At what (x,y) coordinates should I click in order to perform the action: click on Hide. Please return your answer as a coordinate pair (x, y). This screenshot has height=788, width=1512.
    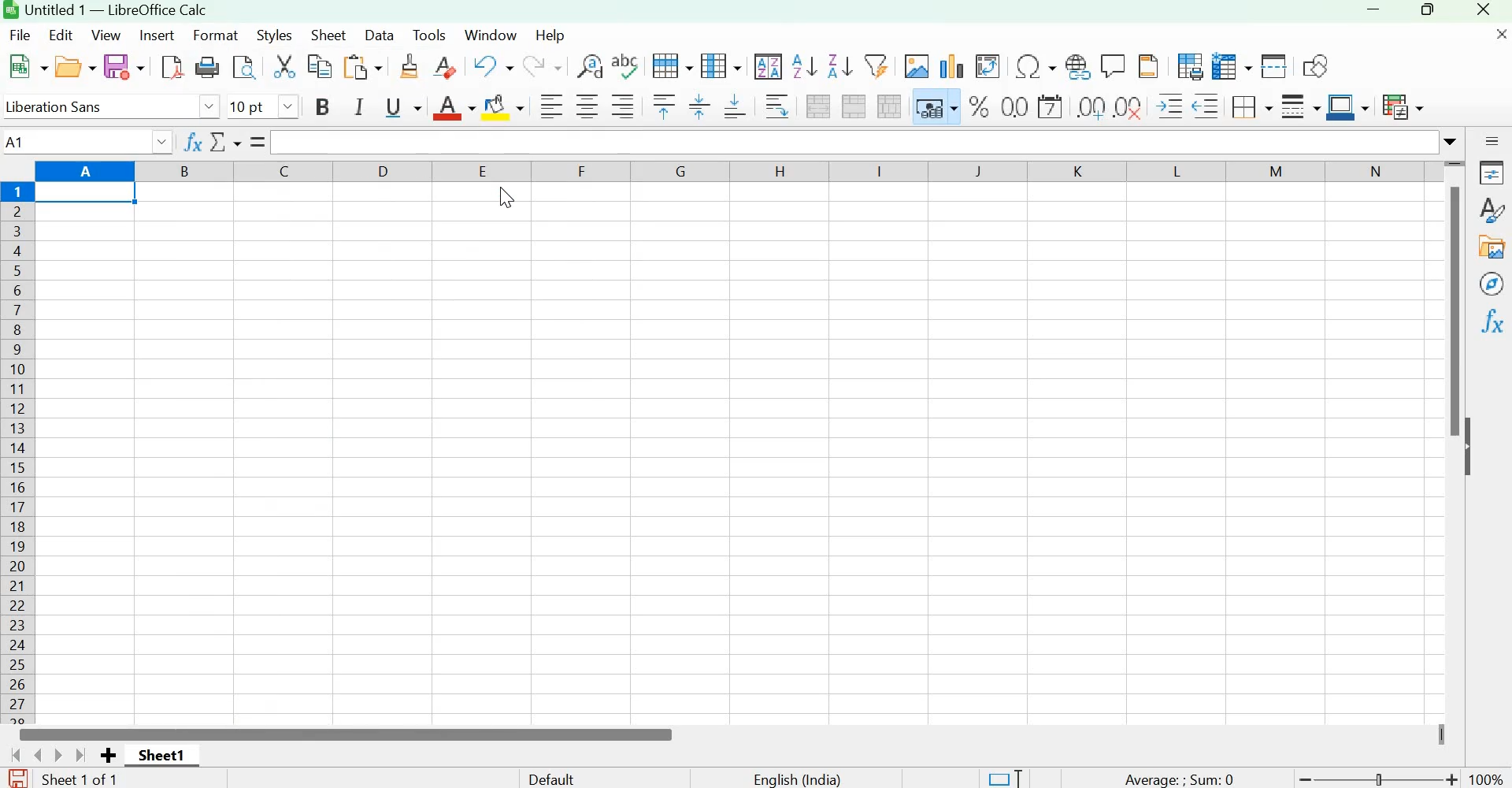
    Looking at the image, I should click on (1477, 452).